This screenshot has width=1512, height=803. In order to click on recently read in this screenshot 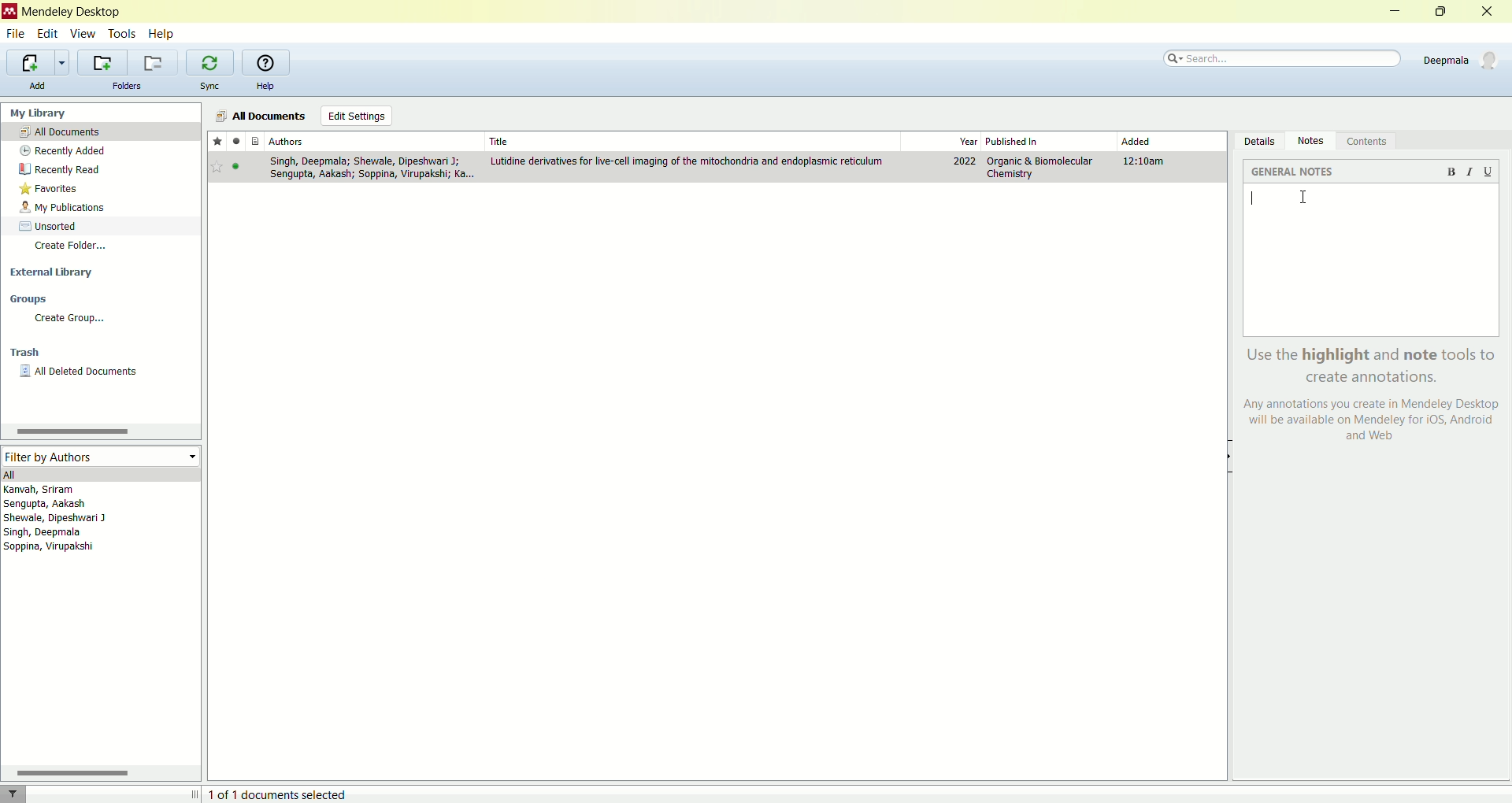, I will do `click(98, 168)`.